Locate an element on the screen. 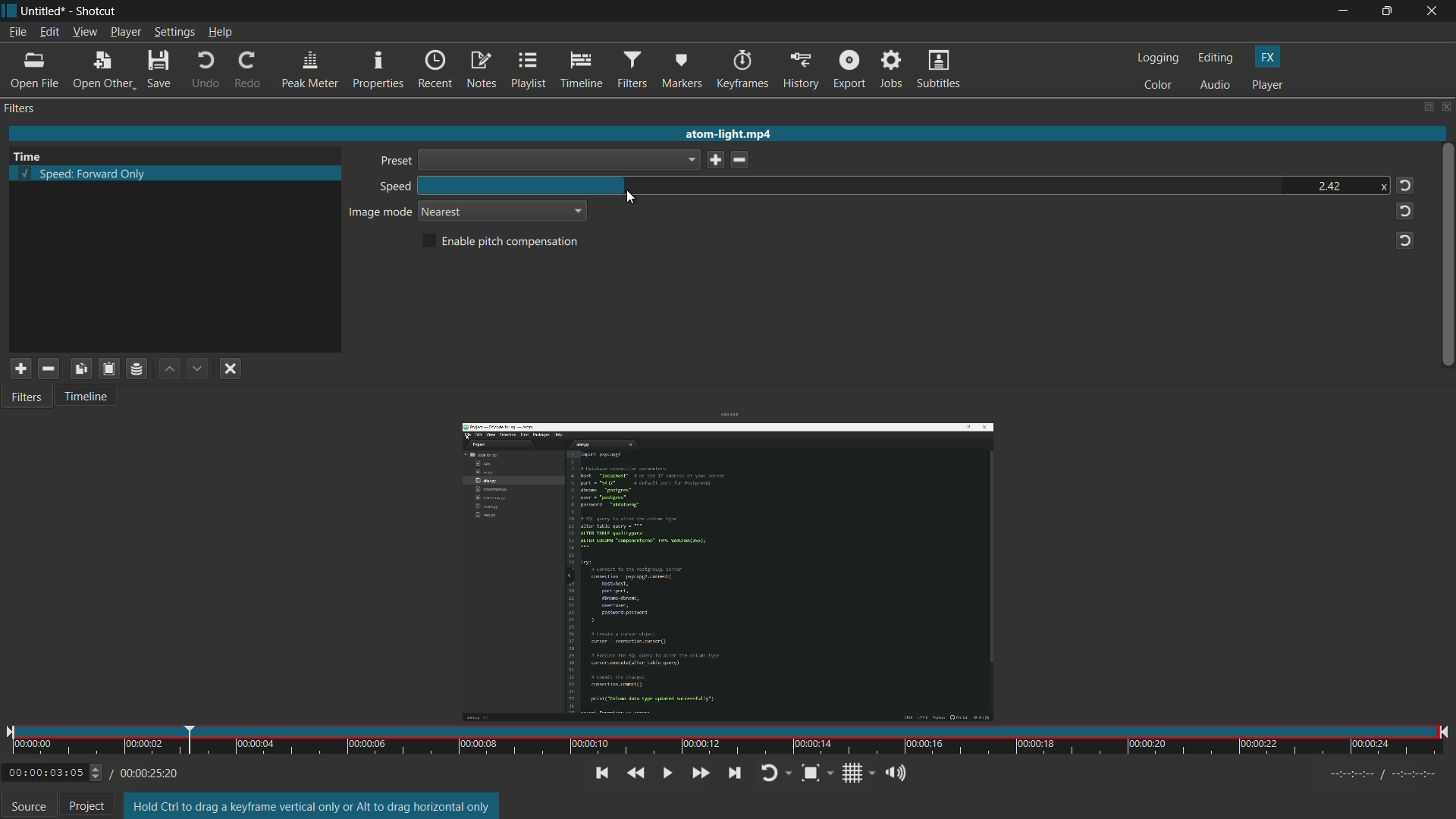 Image resolution: width=1456 pixels, height=819 pixels. preset is located at coordinates (393, 162).